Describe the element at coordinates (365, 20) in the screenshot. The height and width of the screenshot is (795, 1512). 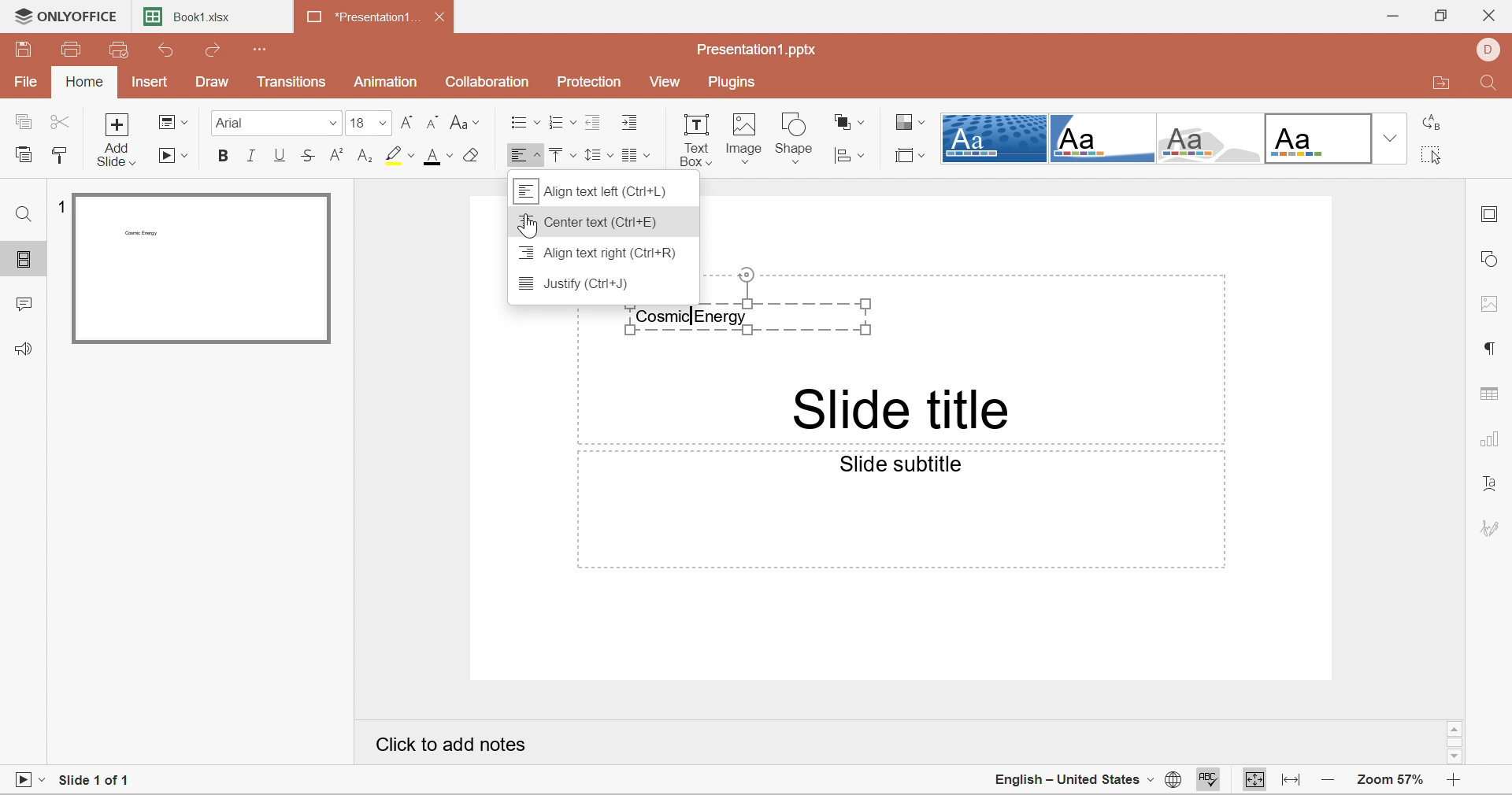
I see `*Presentation1` at that location.